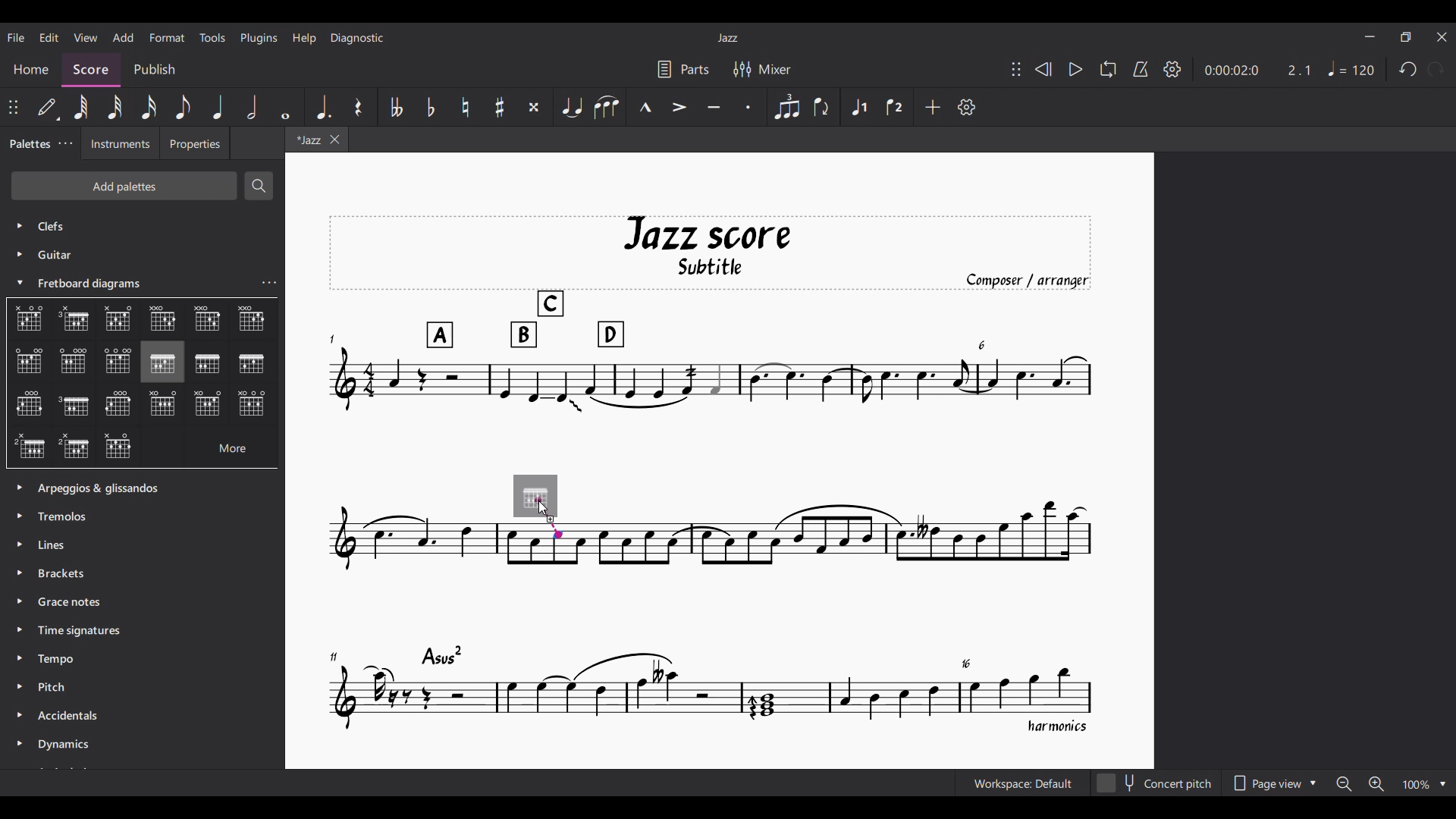 The width and height of the screenshot is (1456, 819). Describe the element at coordinates (209, 403) in the screenshot. I see `Chart 16` at that location.